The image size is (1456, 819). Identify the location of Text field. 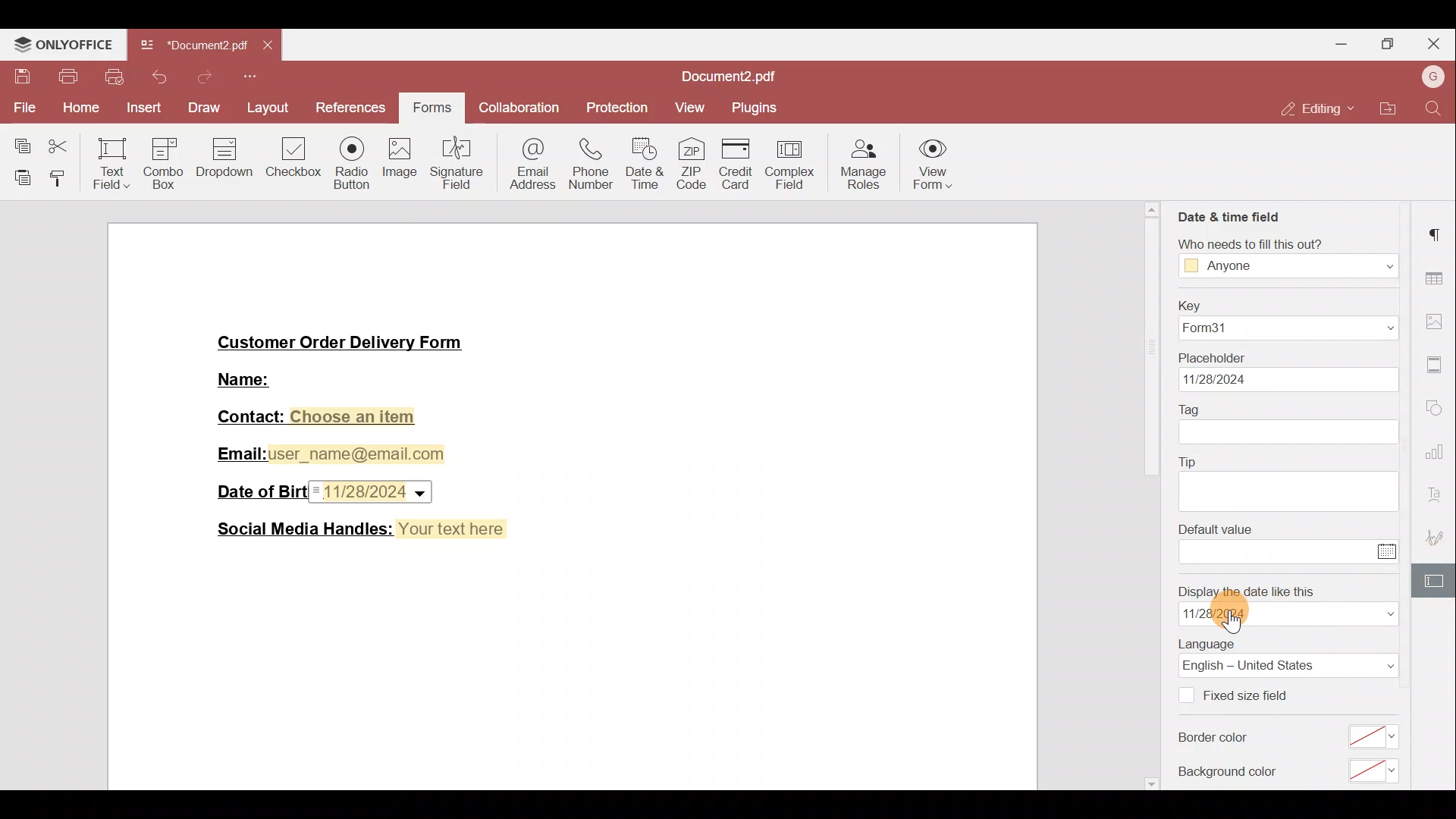
(110, 163).